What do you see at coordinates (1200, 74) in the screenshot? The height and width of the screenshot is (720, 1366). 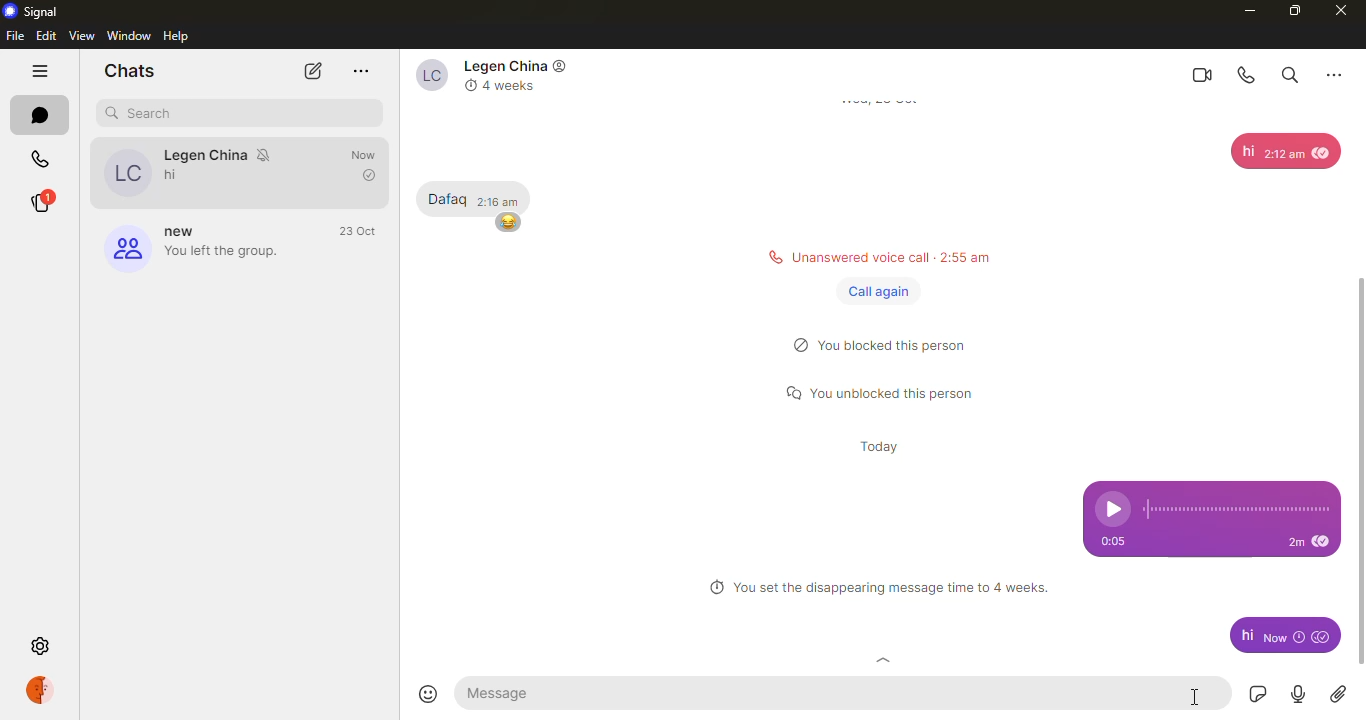 I see `video call` at bounding box center [1200, 74].